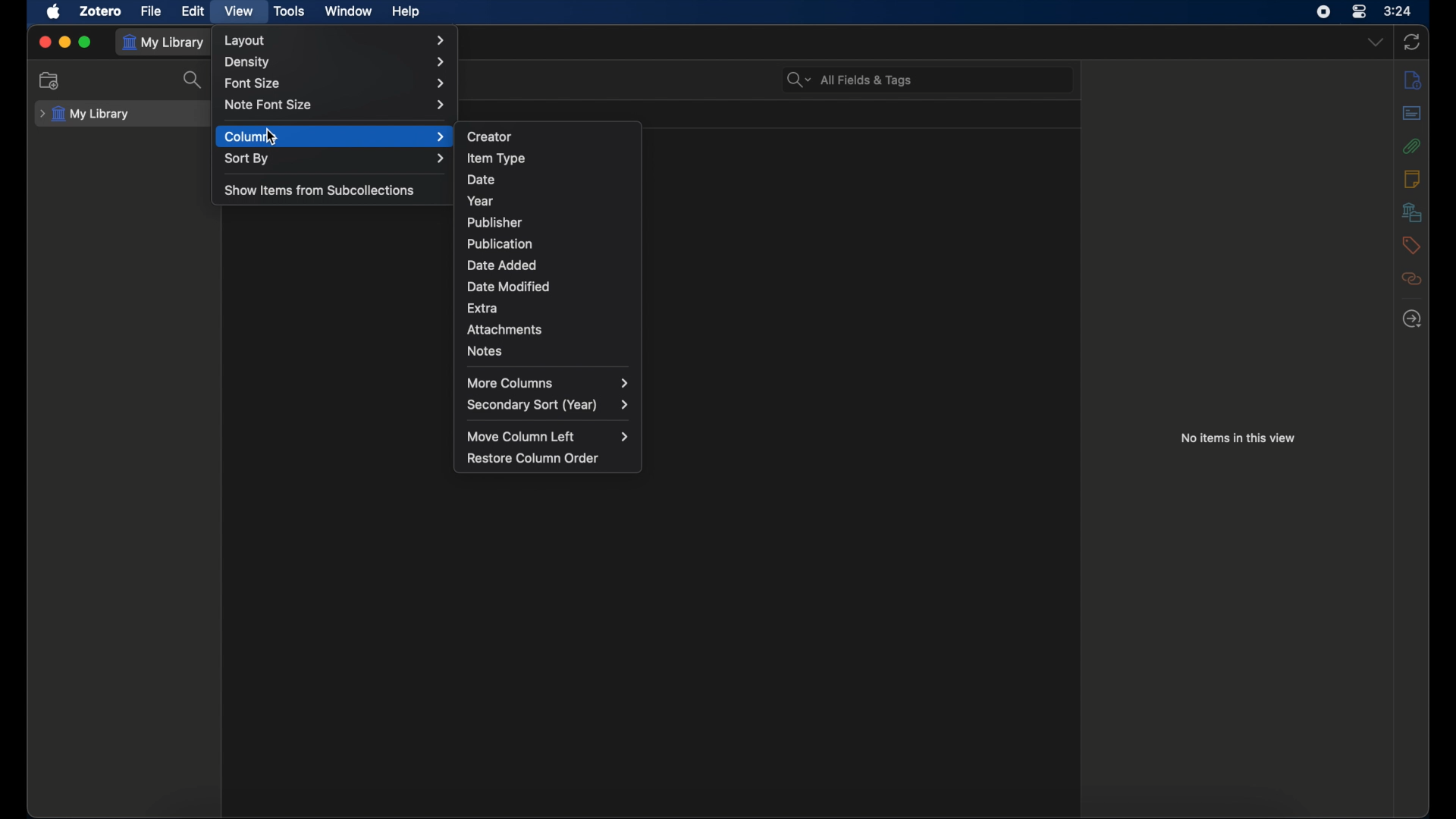 The width and height of the screenshot is (1456, 819). What do you see at coordinates (45, 42) in the screenshot?
I see `close` at bounding box center [45, 42].